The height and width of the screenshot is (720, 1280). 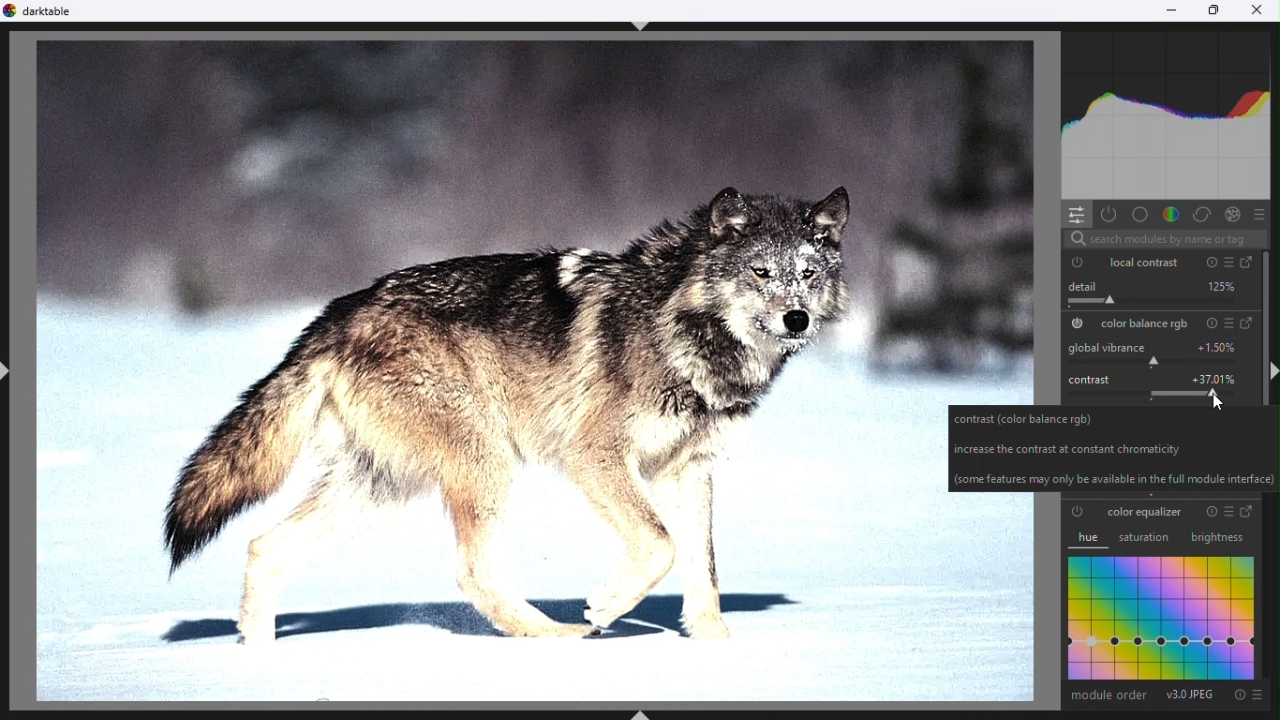 What do you see at coordinates (1108, 213) in the screenshot?
I see `show only active modules` at bounding box center [1108, 213].